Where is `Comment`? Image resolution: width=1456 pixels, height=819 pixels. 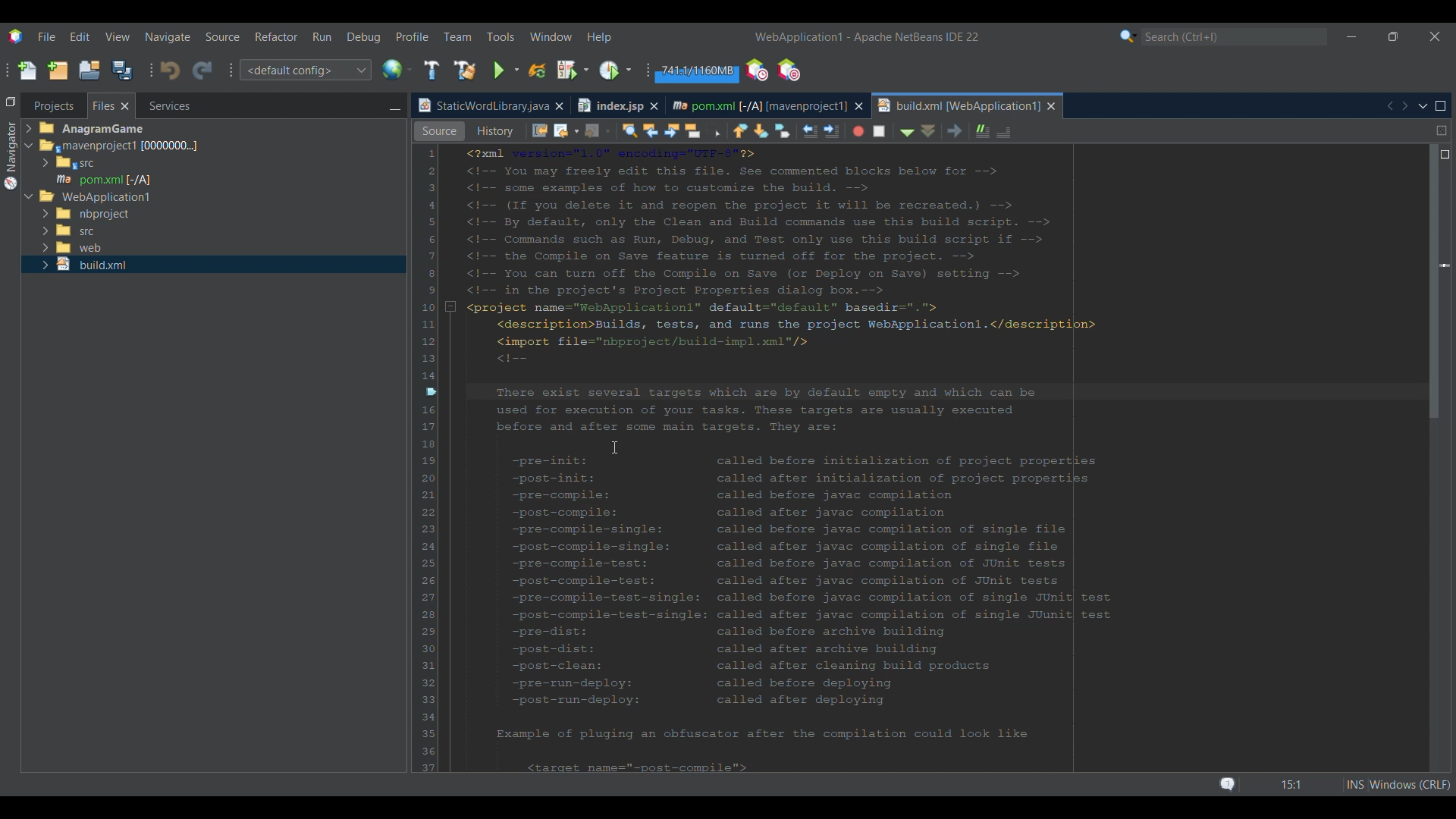
Comment is located at coordinates (1116, 129).